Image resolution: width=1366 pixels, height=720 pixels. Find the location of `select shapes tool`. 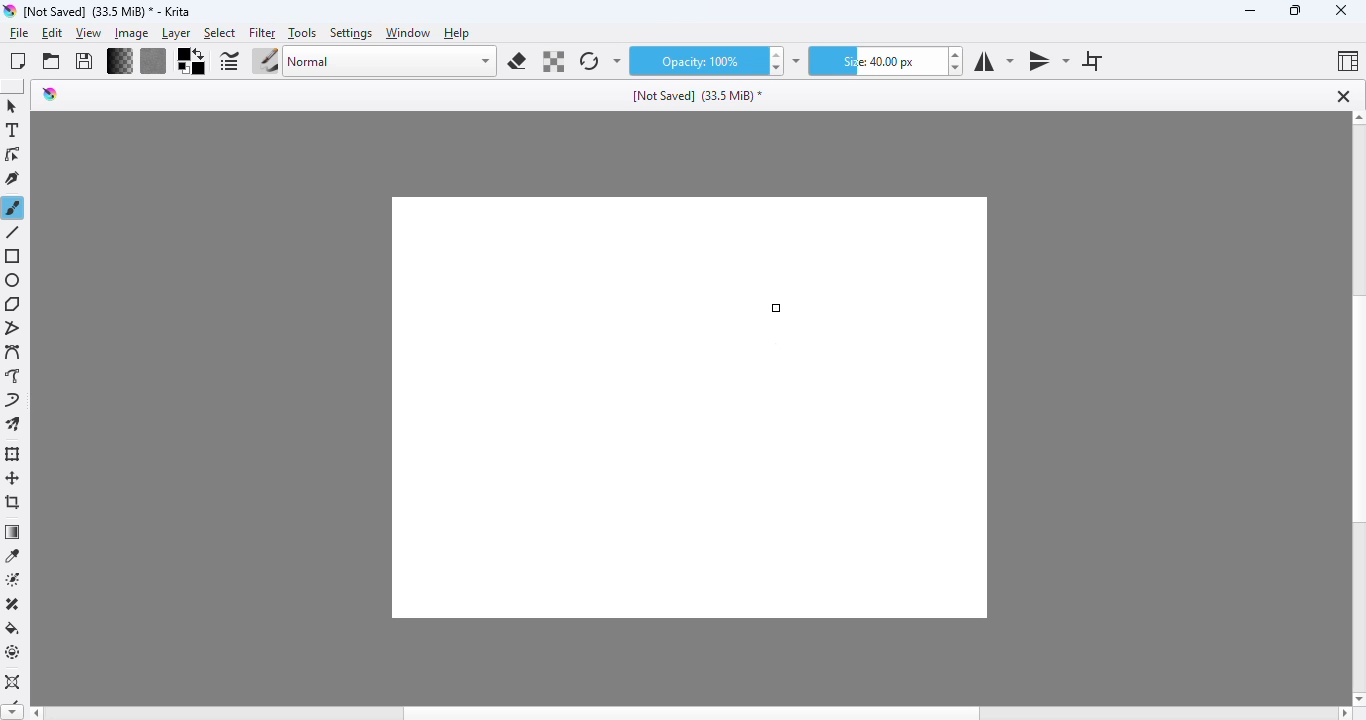

select shapes tool is located at coordinates (14, 107).